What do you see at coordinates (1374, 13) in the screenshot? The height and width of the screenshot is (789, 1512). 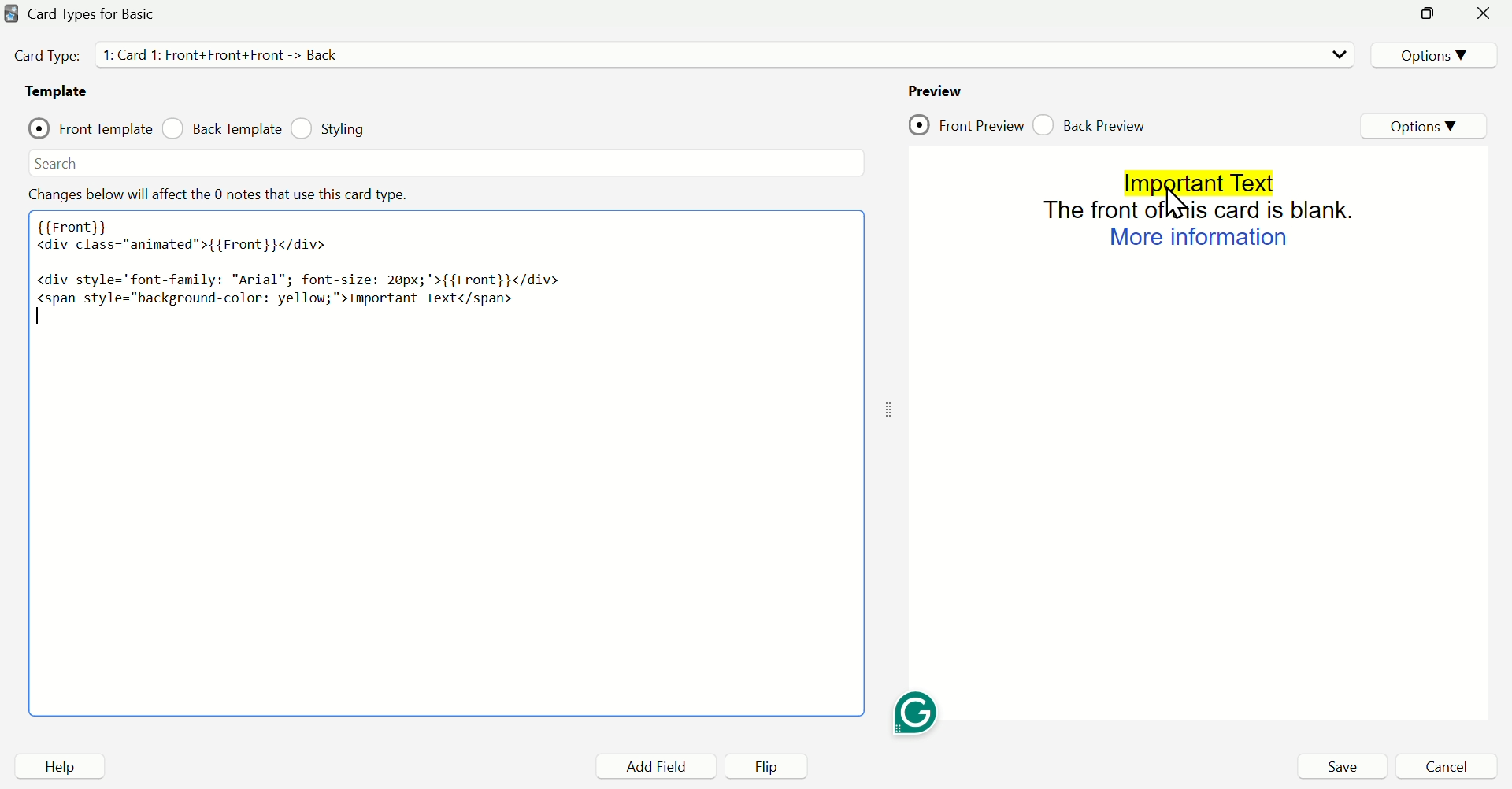 I see `Minimize` at bounding box center [1374, 13].